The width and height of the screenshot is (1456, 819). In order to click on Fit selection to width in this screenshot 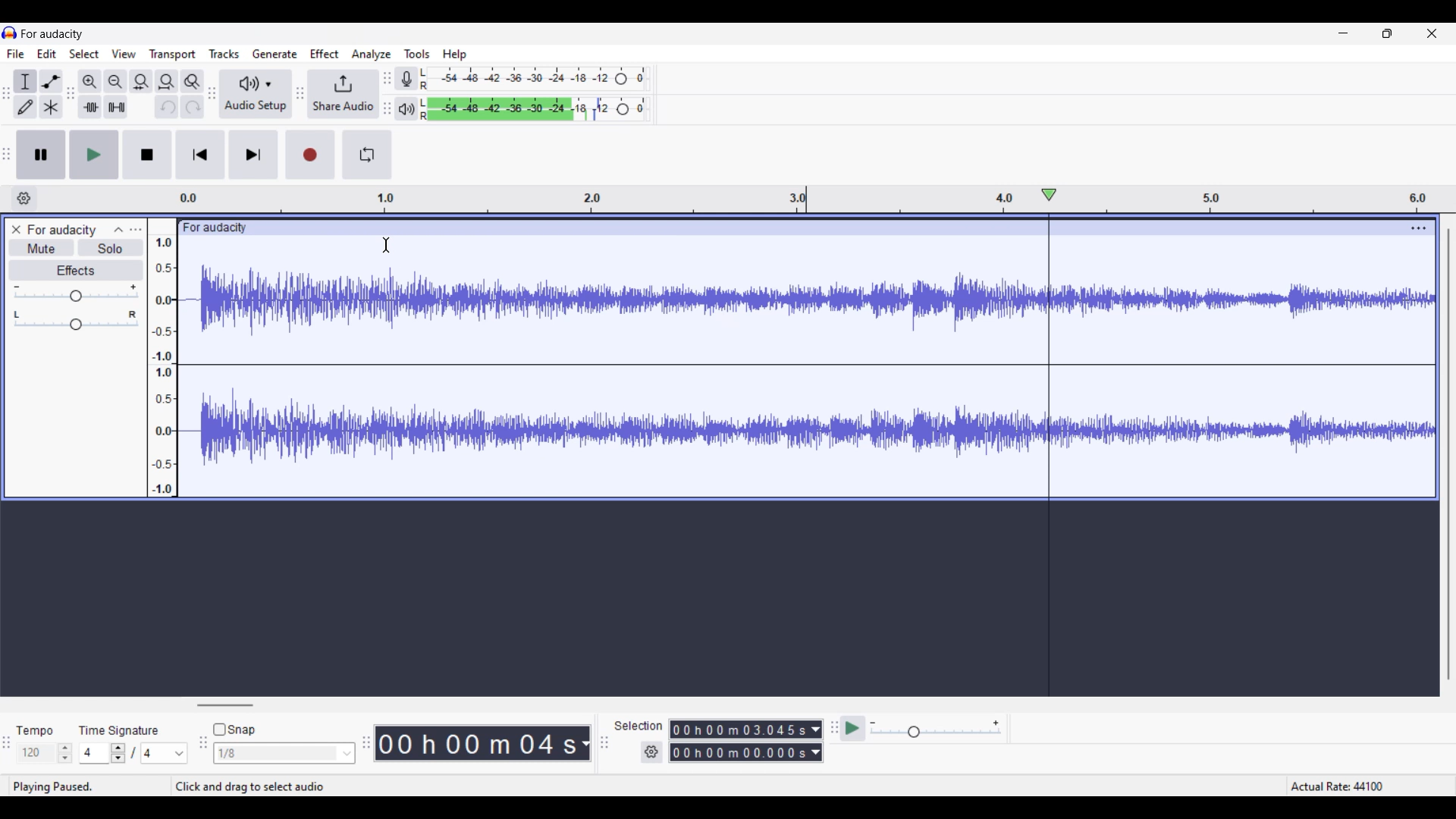, I will do `click(142, 82)`.